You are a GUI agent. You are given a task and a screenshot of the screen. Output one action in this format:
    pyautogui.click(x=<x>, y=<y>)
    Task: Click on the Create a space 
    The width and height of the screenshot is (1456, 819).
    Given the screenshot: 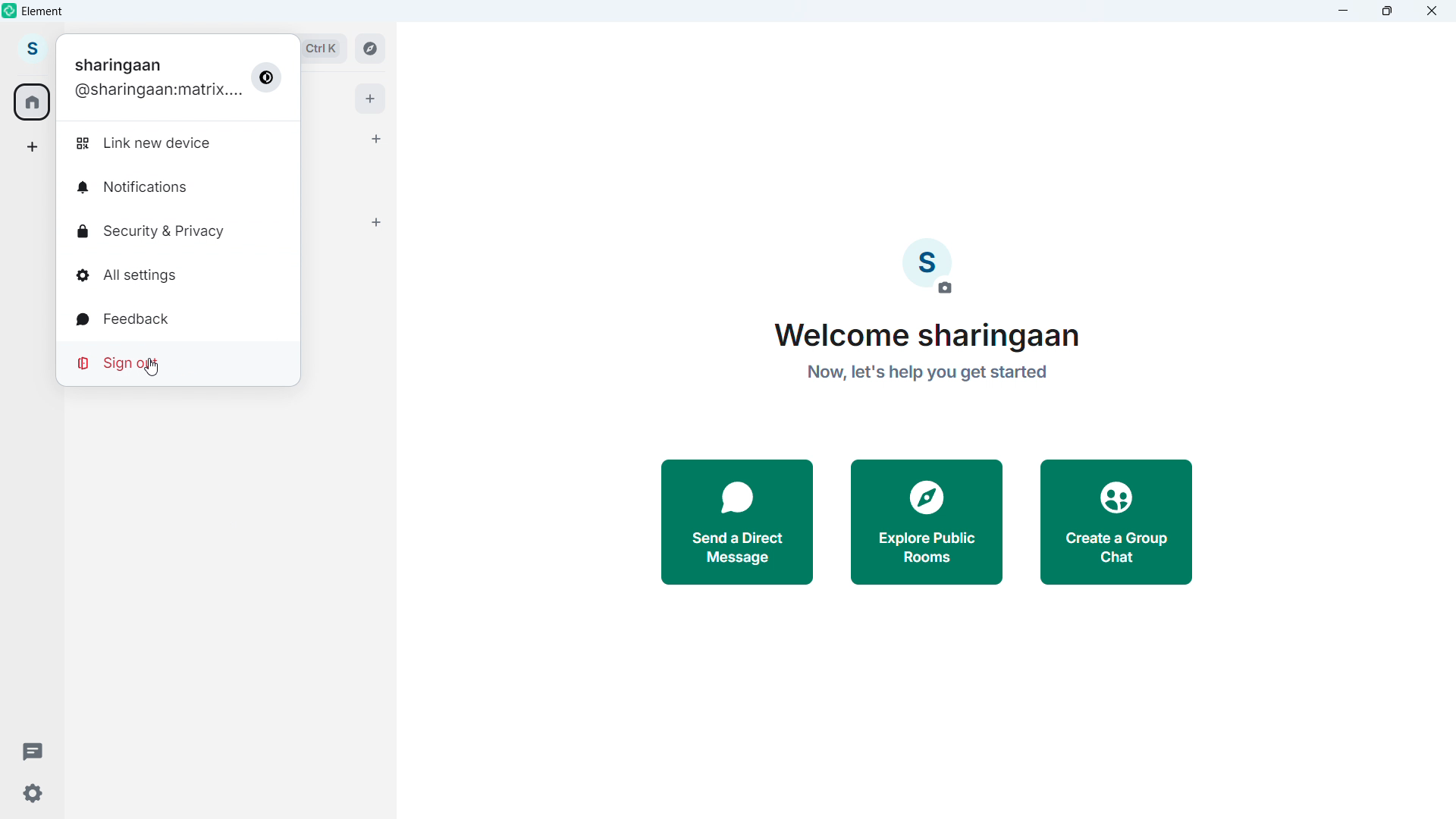 What is the action you would take?
    pyautogui.click(x=33, y=147)
    